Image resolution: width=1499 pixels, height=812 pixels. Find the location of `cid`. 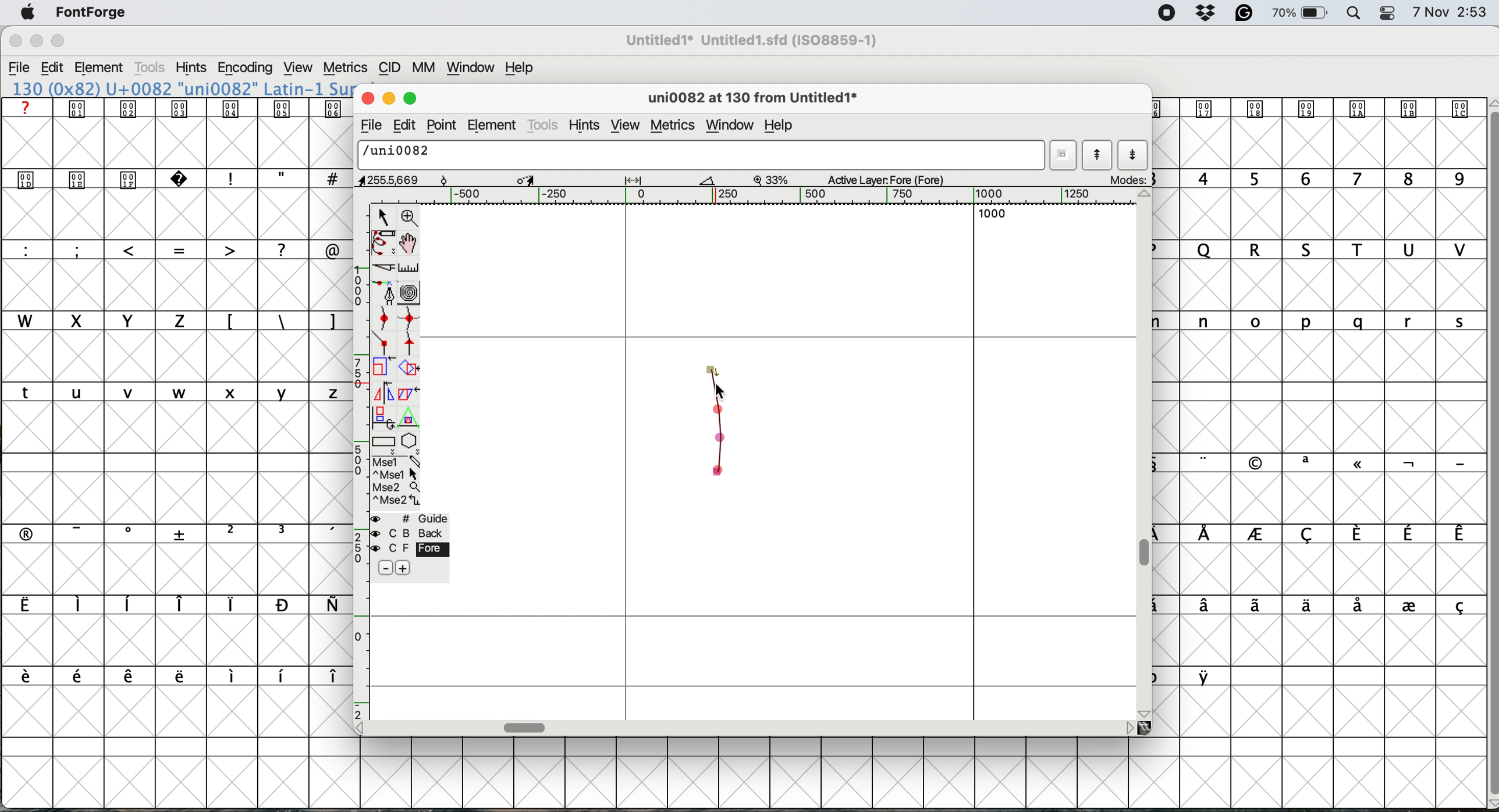

cid is located at coordinates (391, 69).